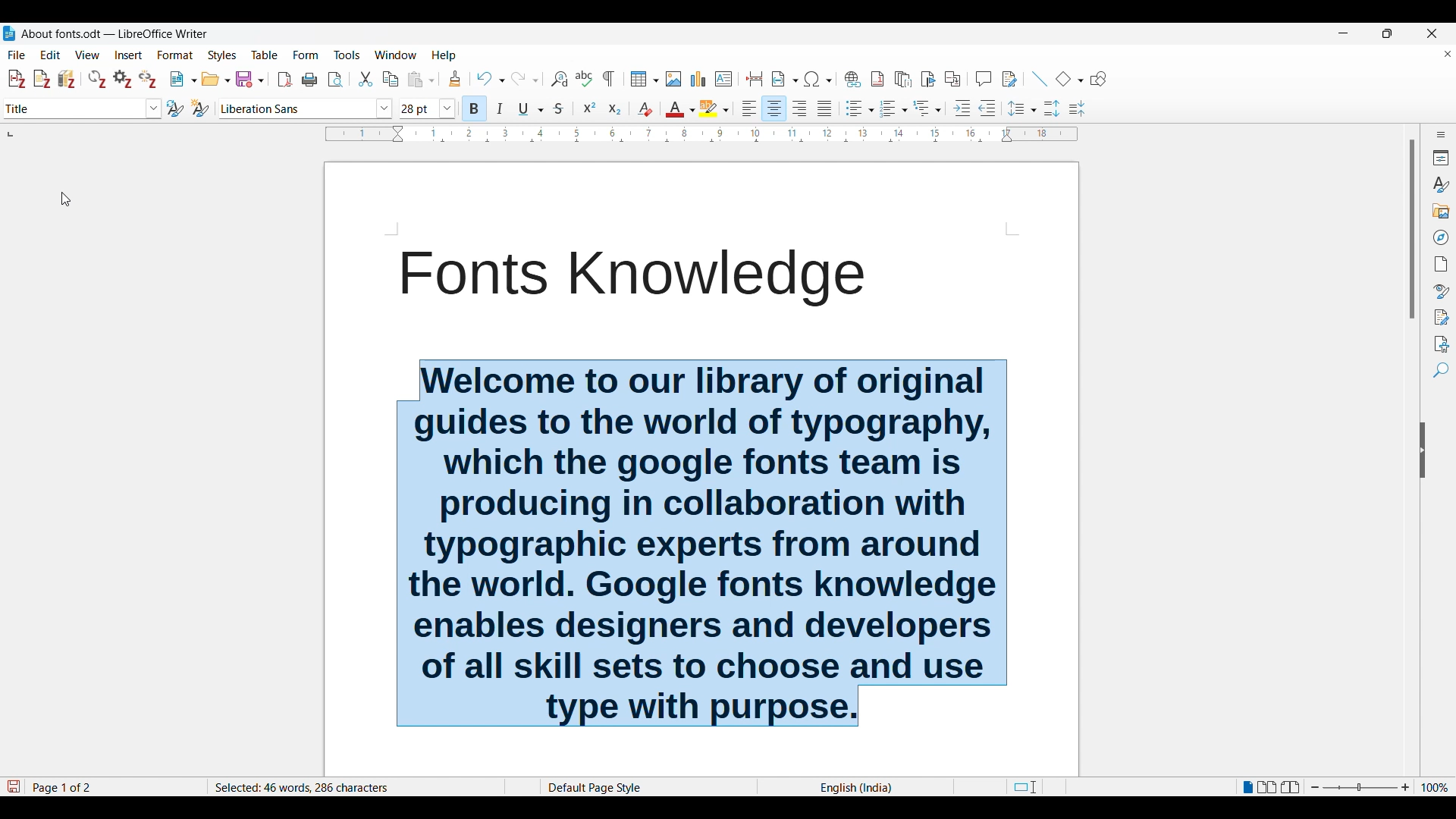  Describe the element at coordinates (337, 80) in the screenshot. I see `Toggle print preview` at that location.